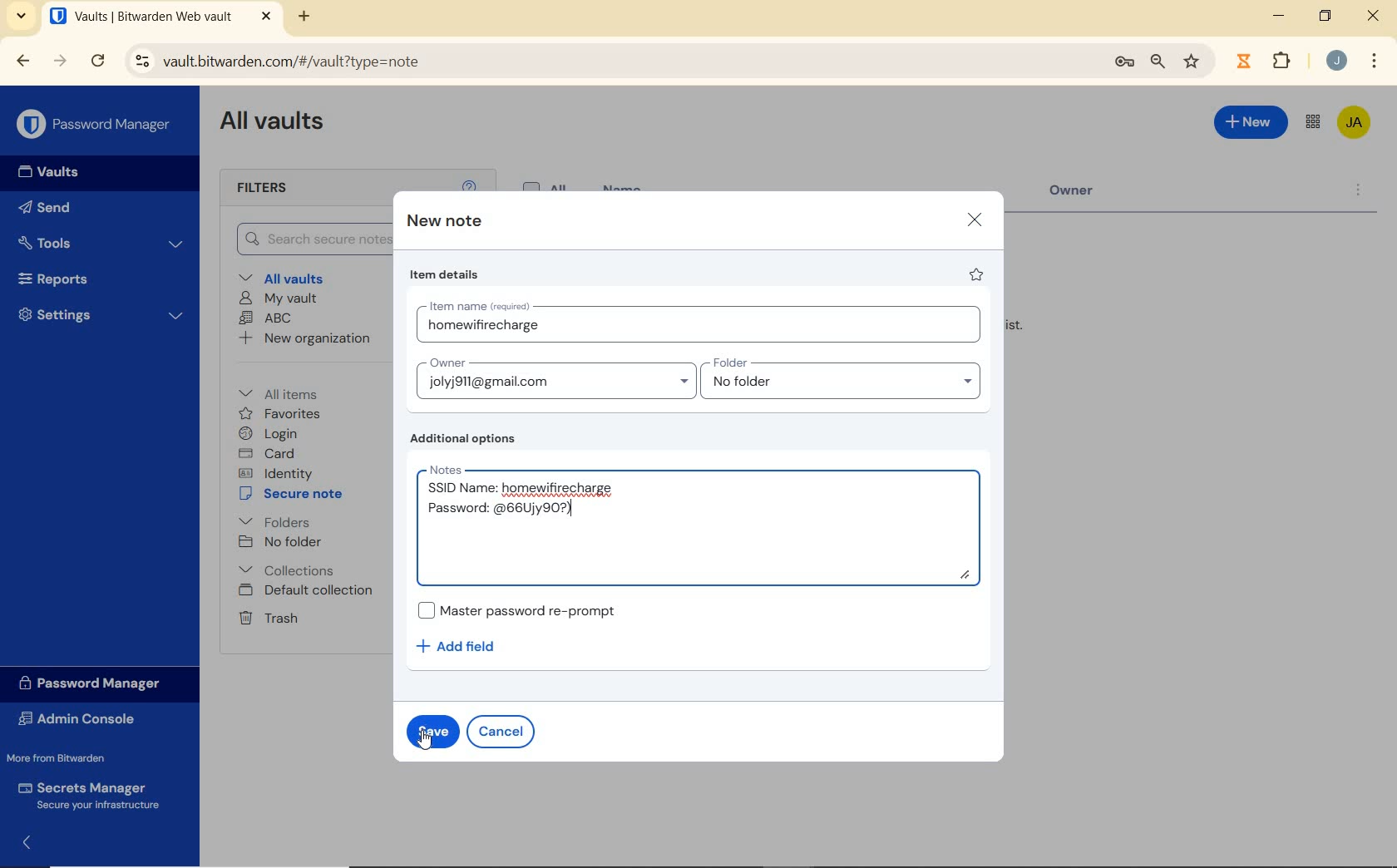 Image resolution: width=1397 pixels, height=868 pixels. Describe the element at coordinates (160, 16) in the screenshot. I see `open tab` at that location.